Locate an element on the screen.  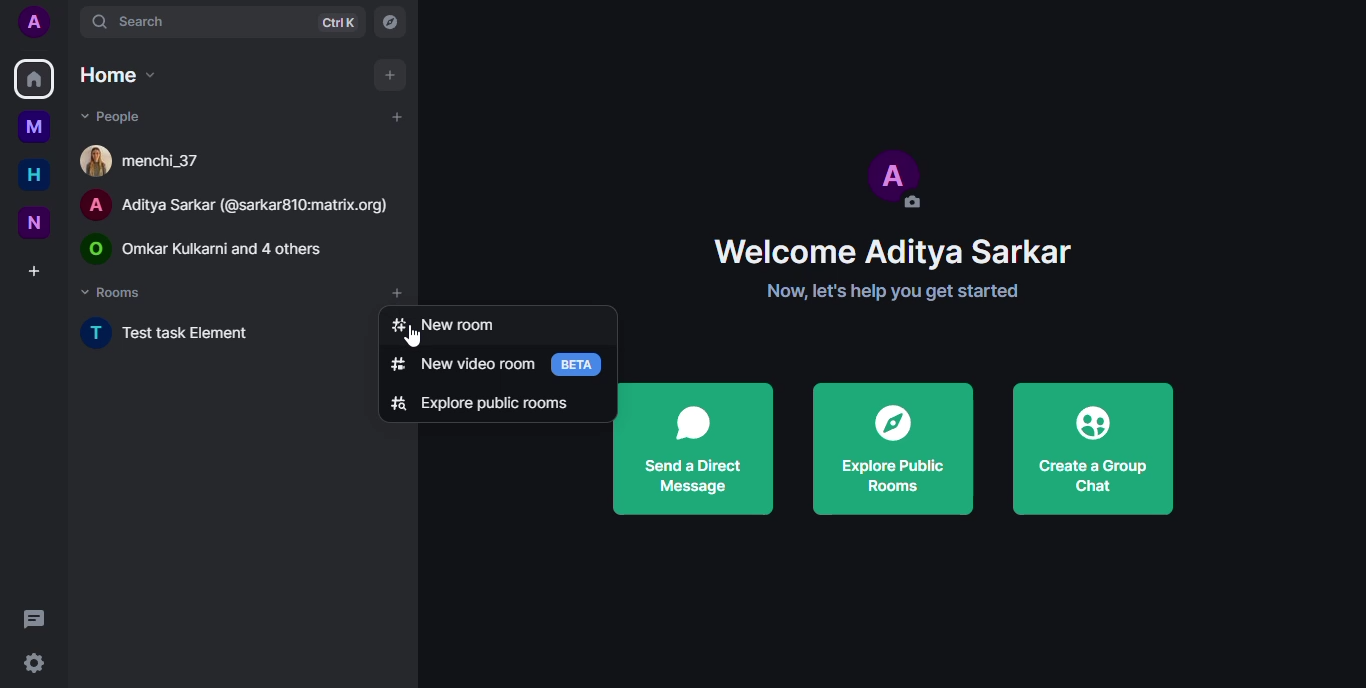
send a direct message is located at coordinates (694, 450).